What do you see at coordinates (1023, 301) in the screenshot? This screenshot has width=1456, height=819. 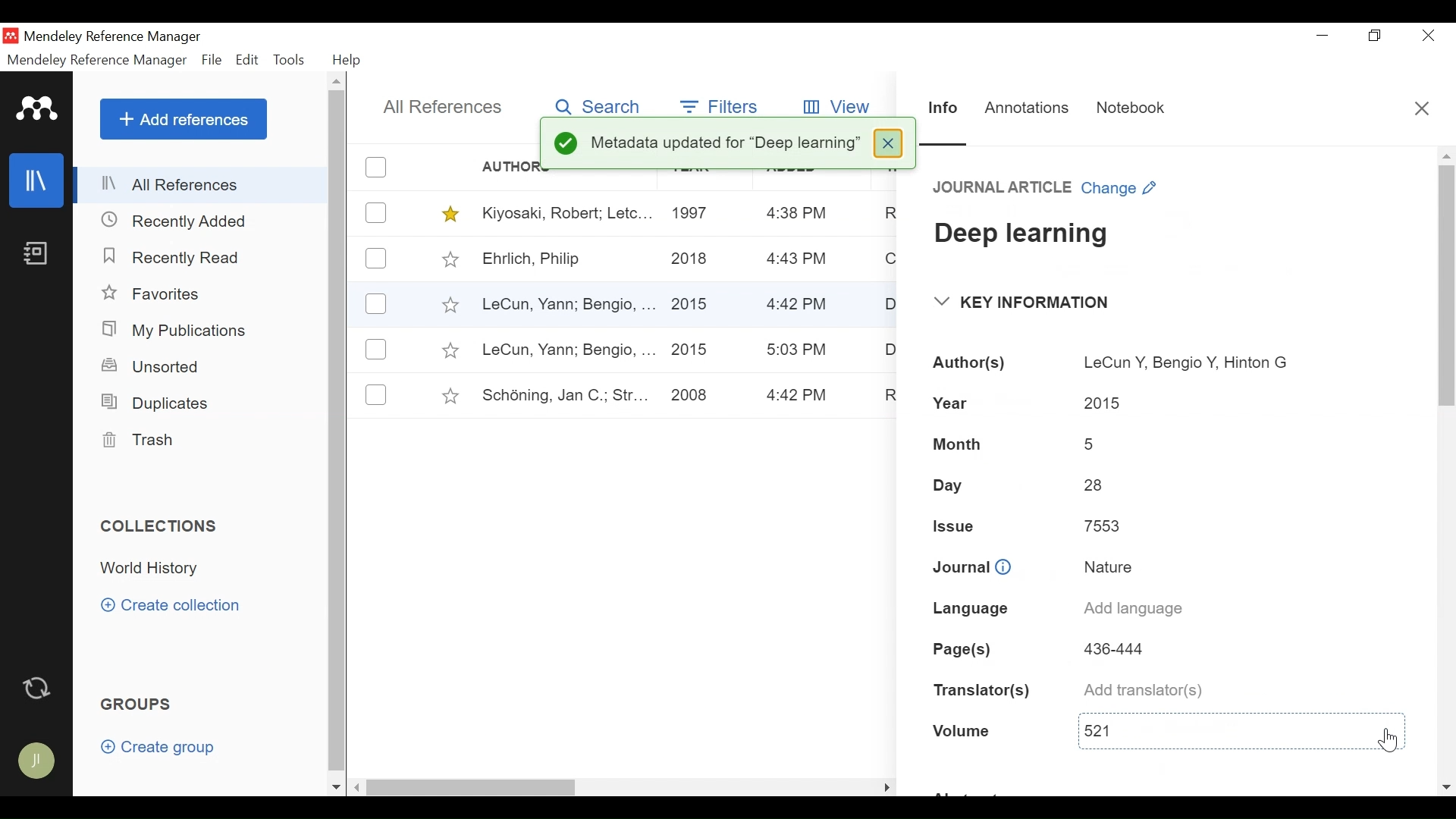 I see `KEY INFORMATION` at bounding box center [1023, 301].